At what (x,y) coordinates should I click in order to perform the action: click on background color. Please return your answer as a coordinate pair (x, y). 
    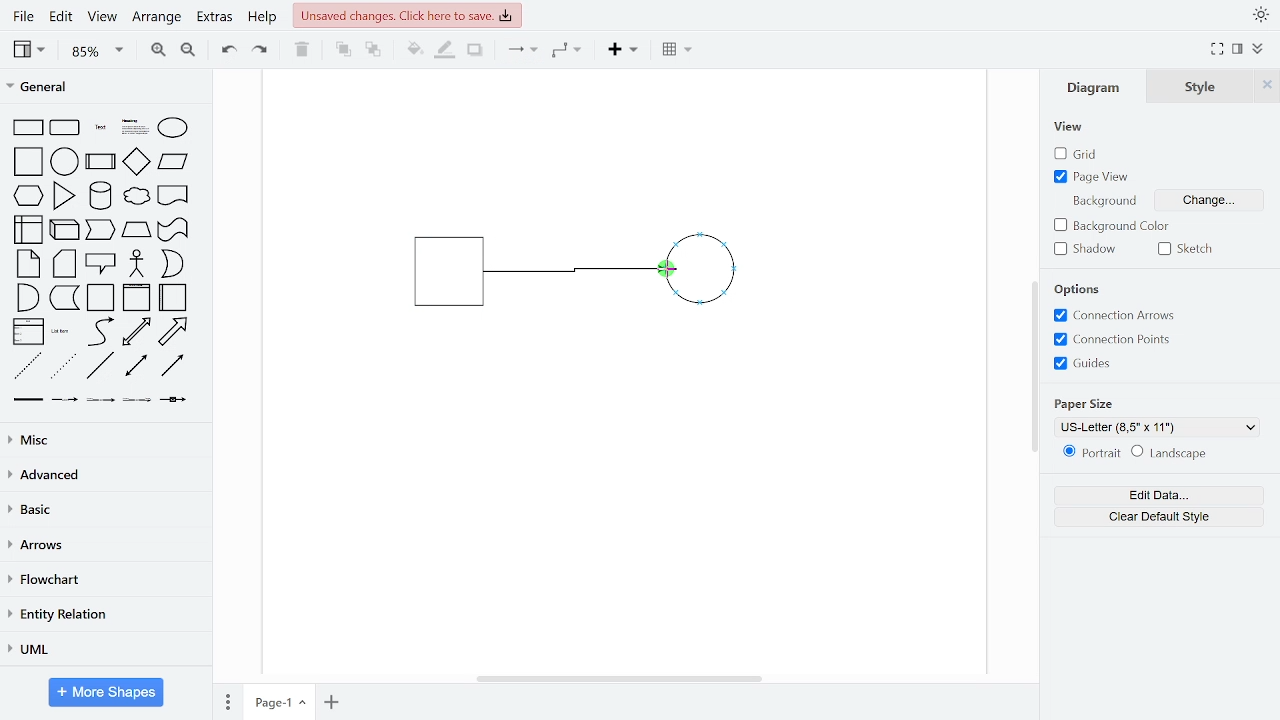
    Looking at the image, I should click on (1115, 227).